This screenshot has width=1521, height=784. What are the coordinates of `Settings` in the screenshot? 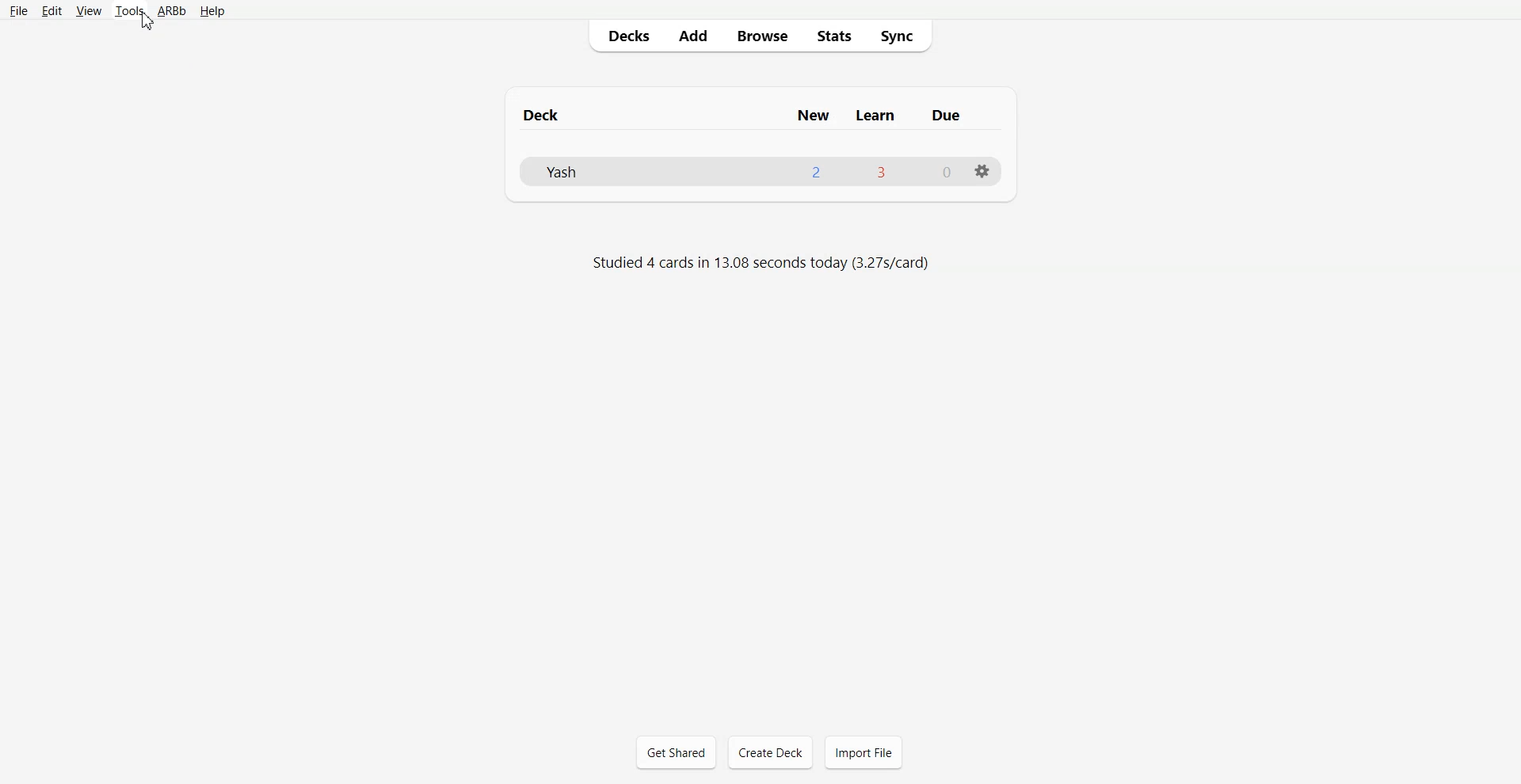 It's located at (983, 172).